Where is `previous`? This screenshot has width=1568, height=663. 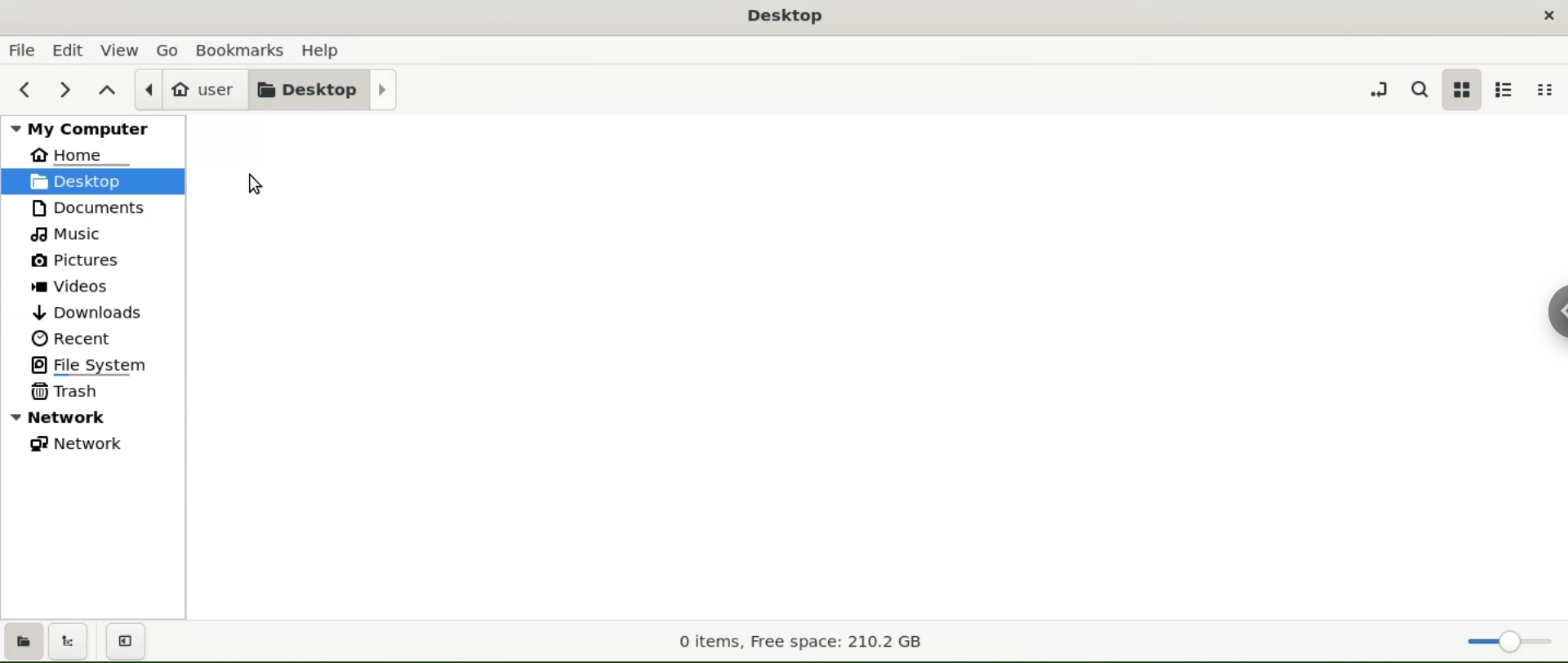 previous is located at coordinates (25, 87).